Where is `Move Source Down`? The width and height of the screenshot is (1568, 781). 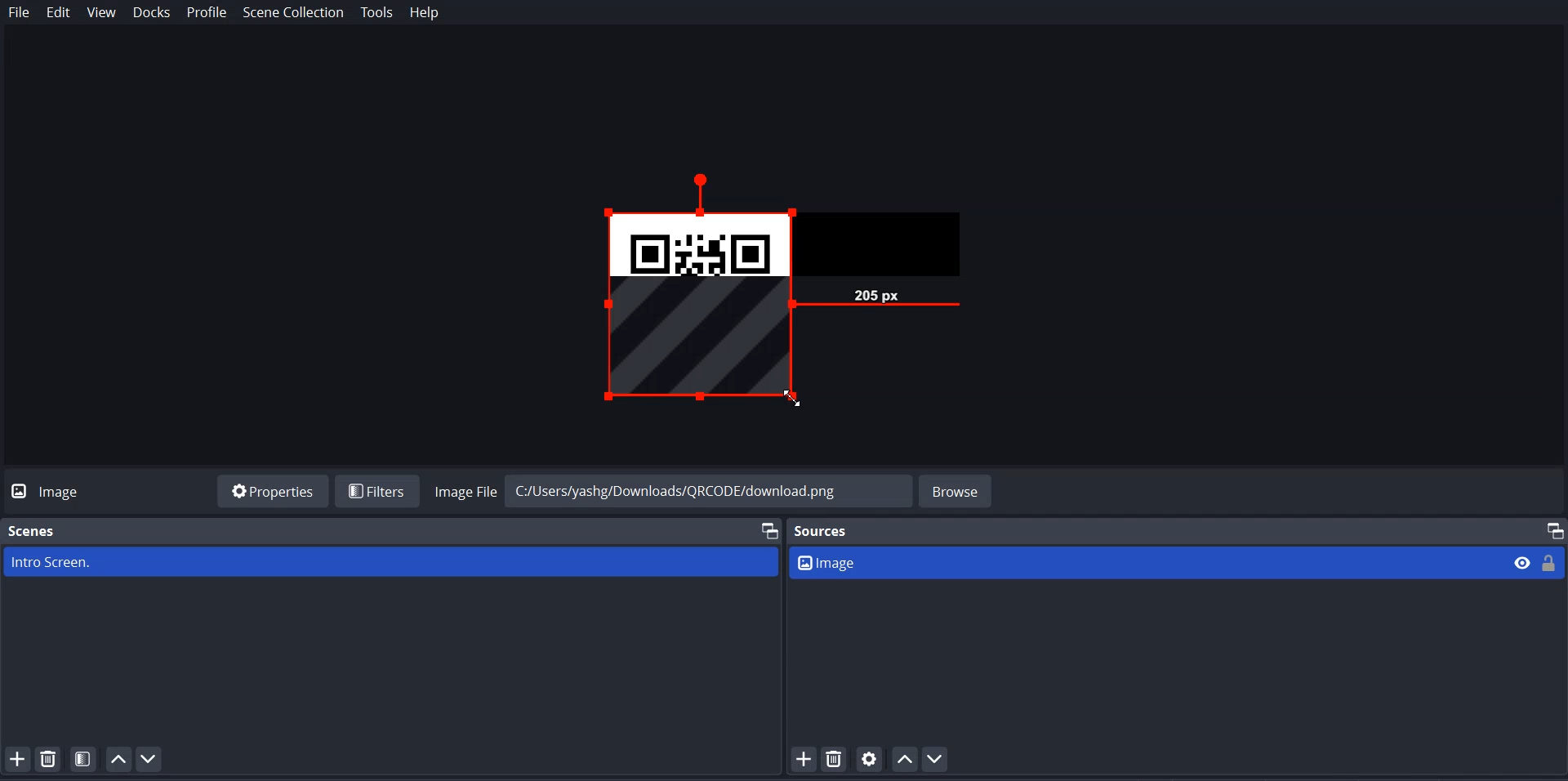 Move Source Down is located at coordinates (935, 758).